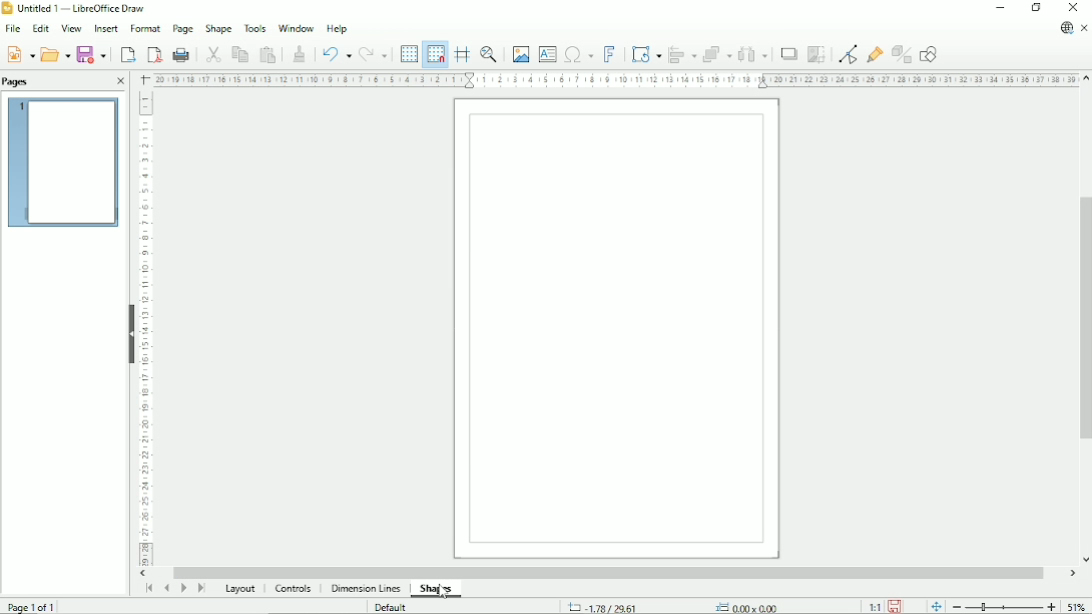 The image size is (1092, 614). I want to click on Scroll to last page, so click(201, 589).